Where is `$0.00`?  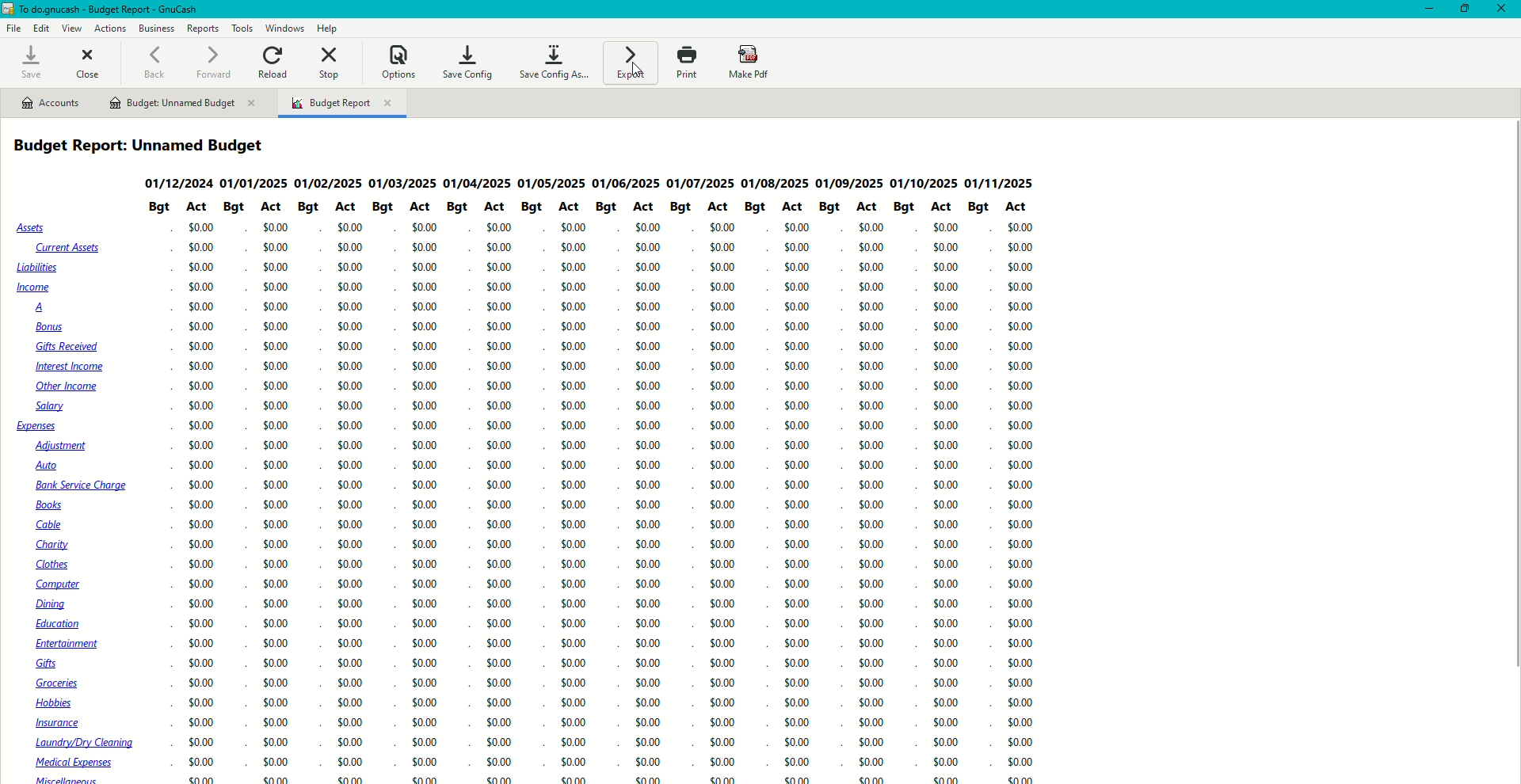 $0.00 is located at coordinates (417, 246).